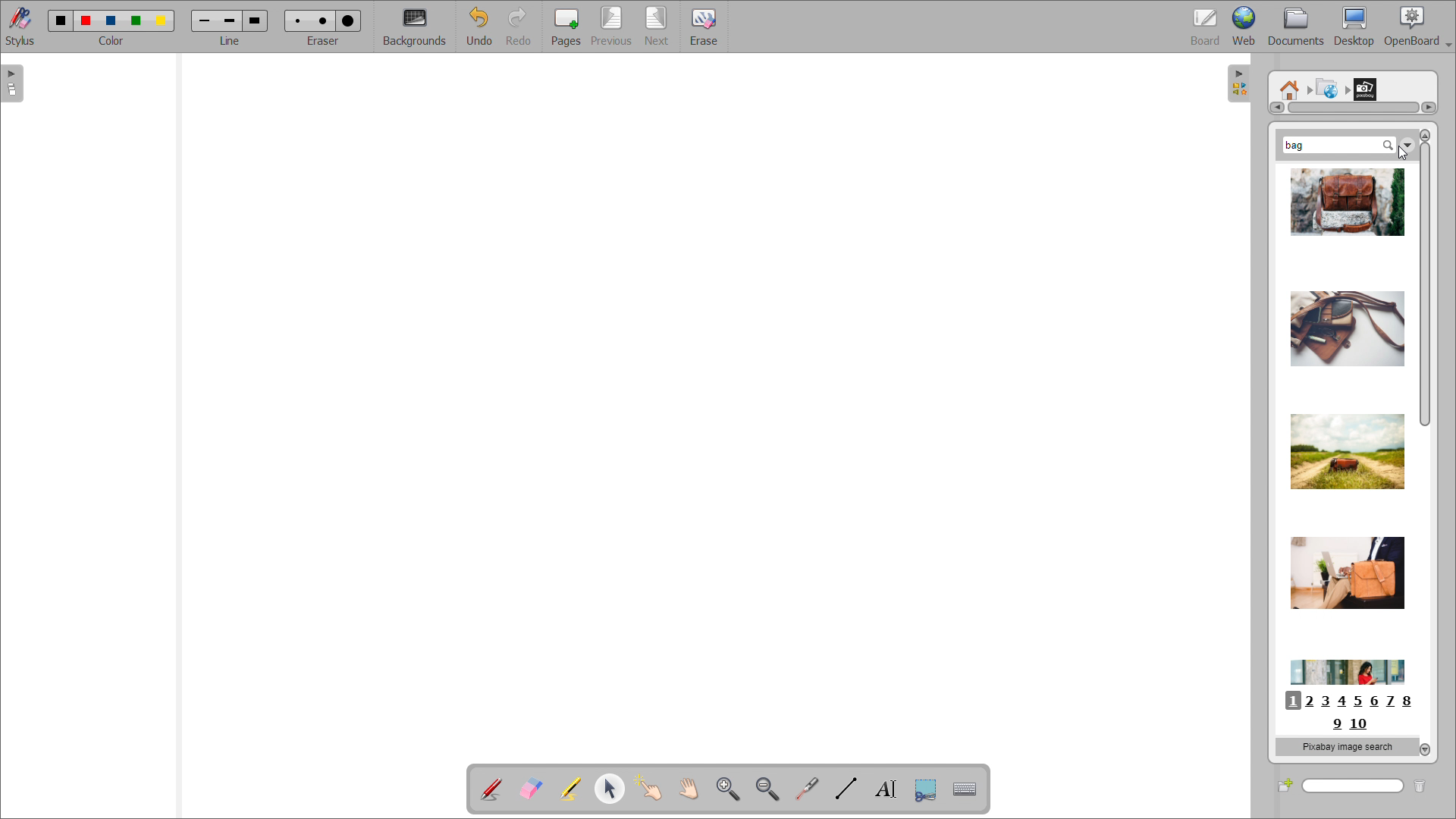  I want to click on add annotation, so click(491, 789).